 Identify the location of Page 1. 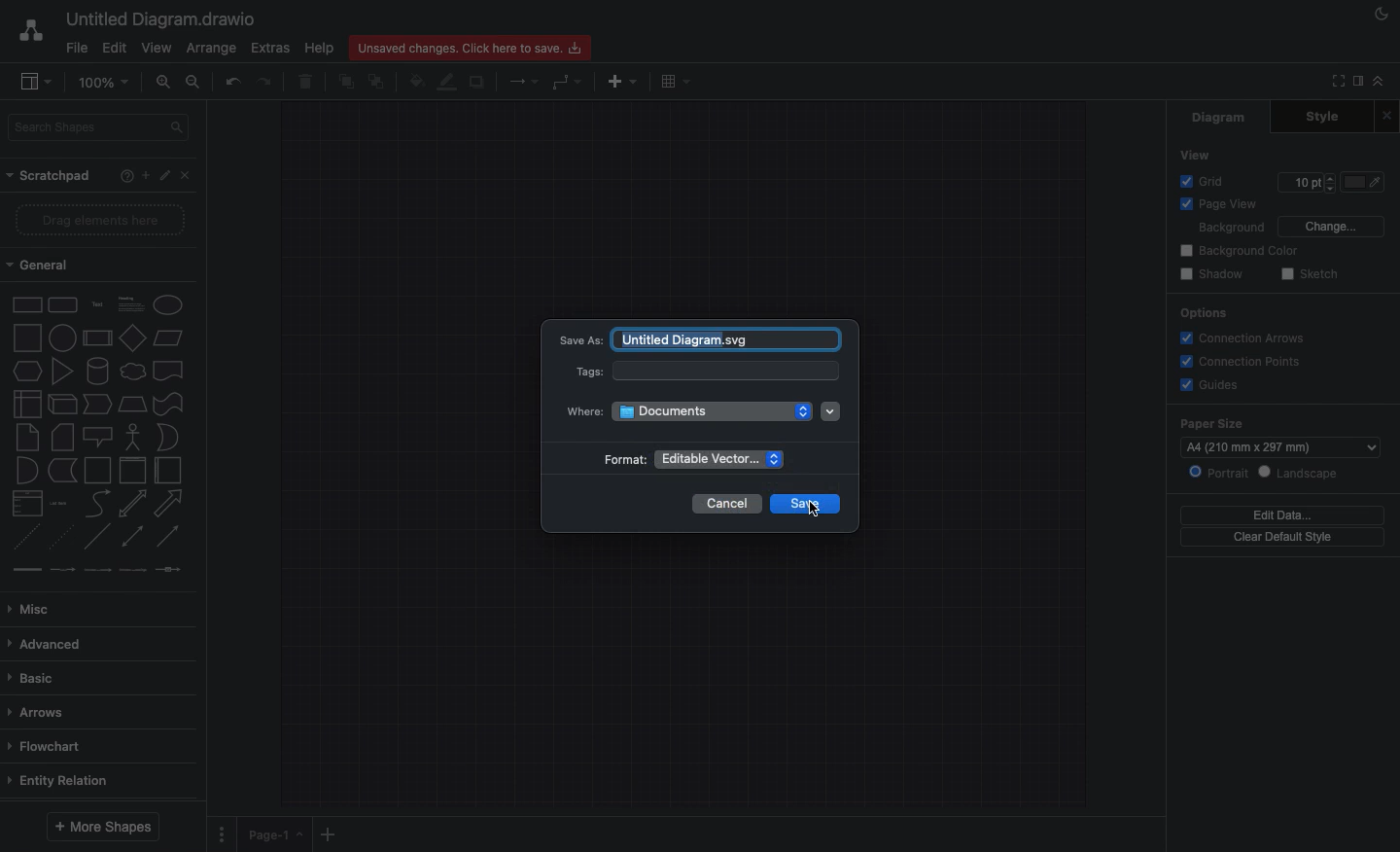
(274, 836).